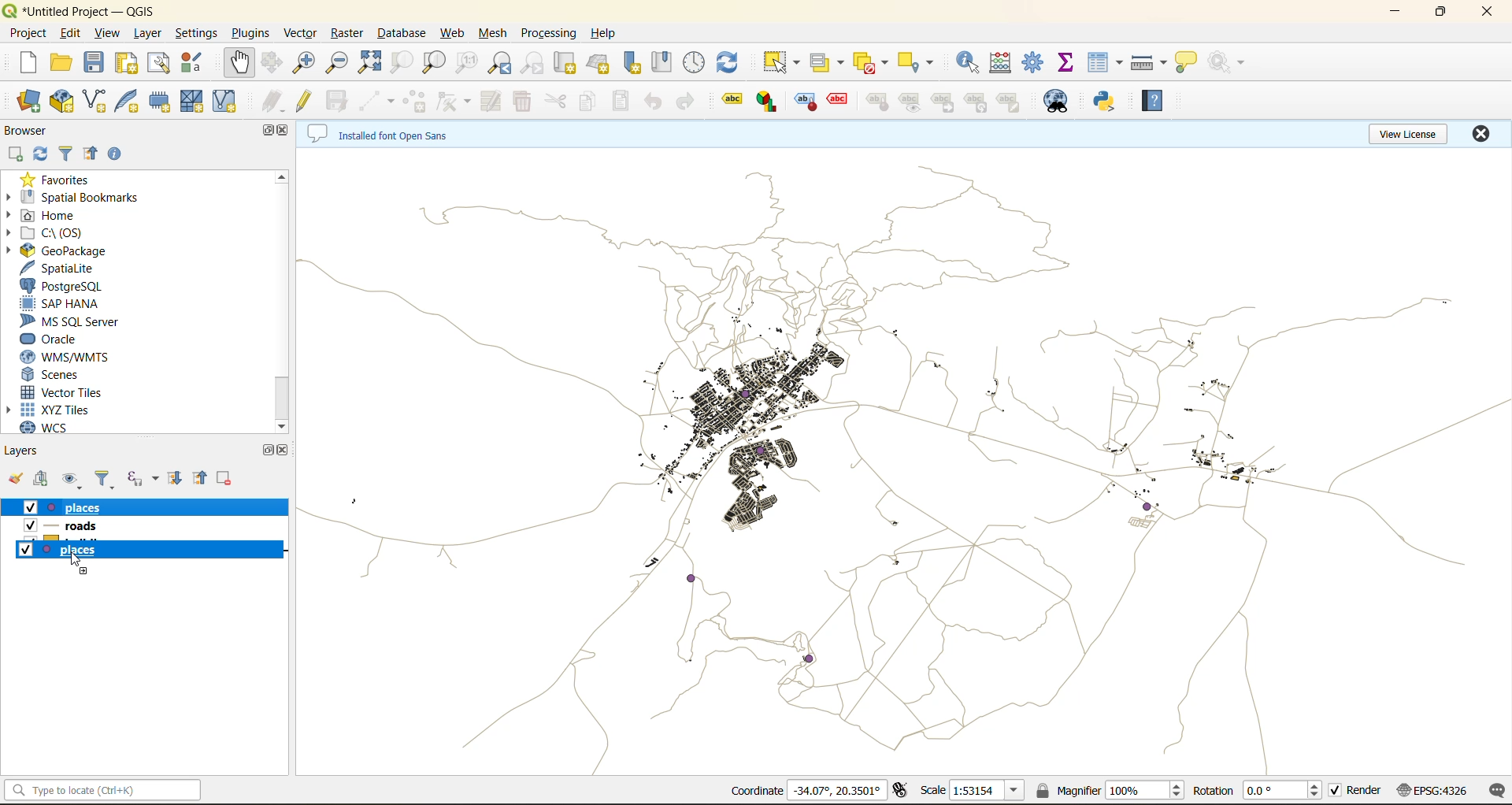 This screenshot has height=805, width=1512. Describe the element at coordinates (40, 154) in the screenshot. I see `refresh` at that location.